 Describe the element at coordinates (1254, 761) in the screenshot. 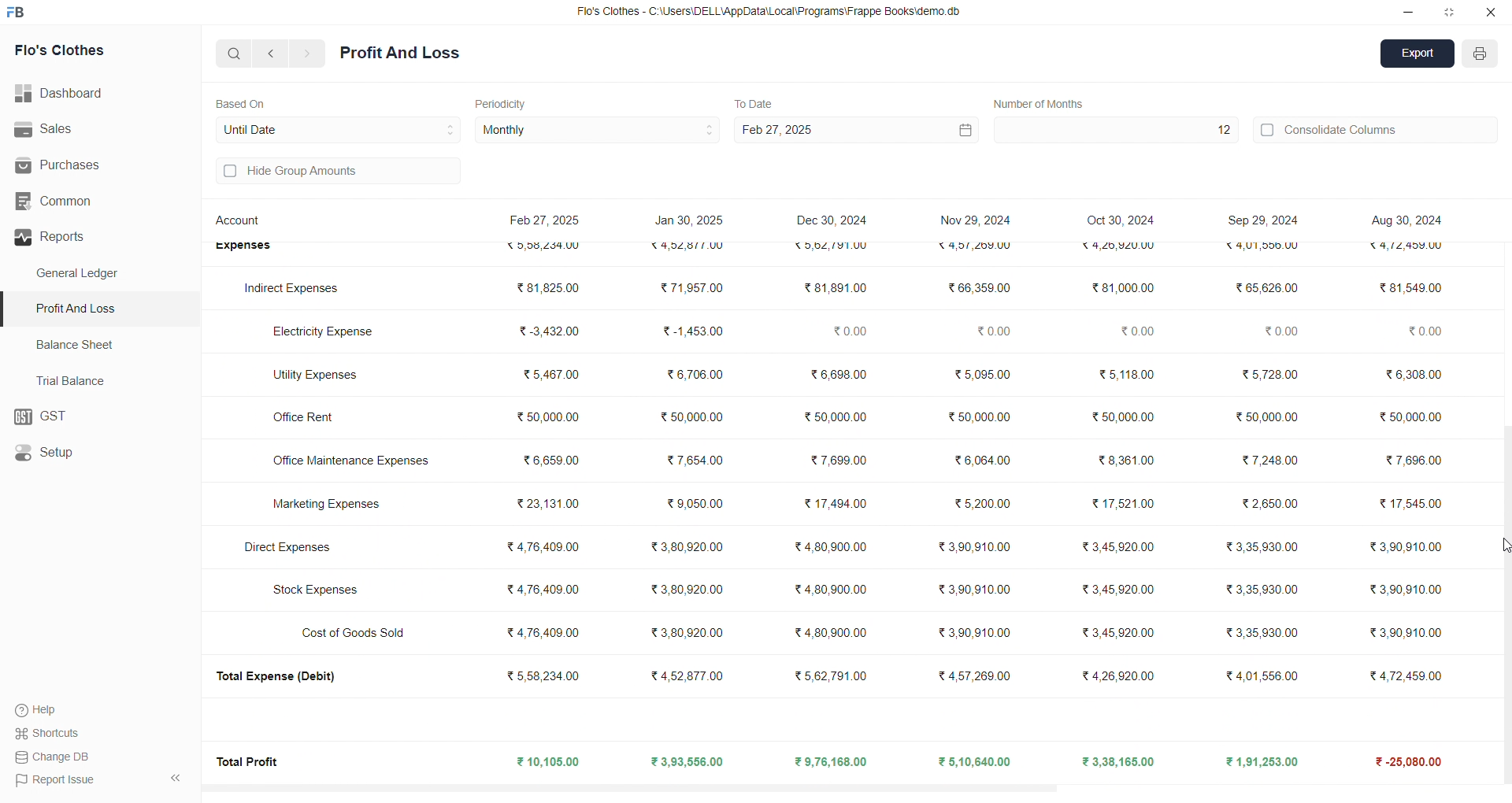

I see `₹1,91,253.00` at that location.